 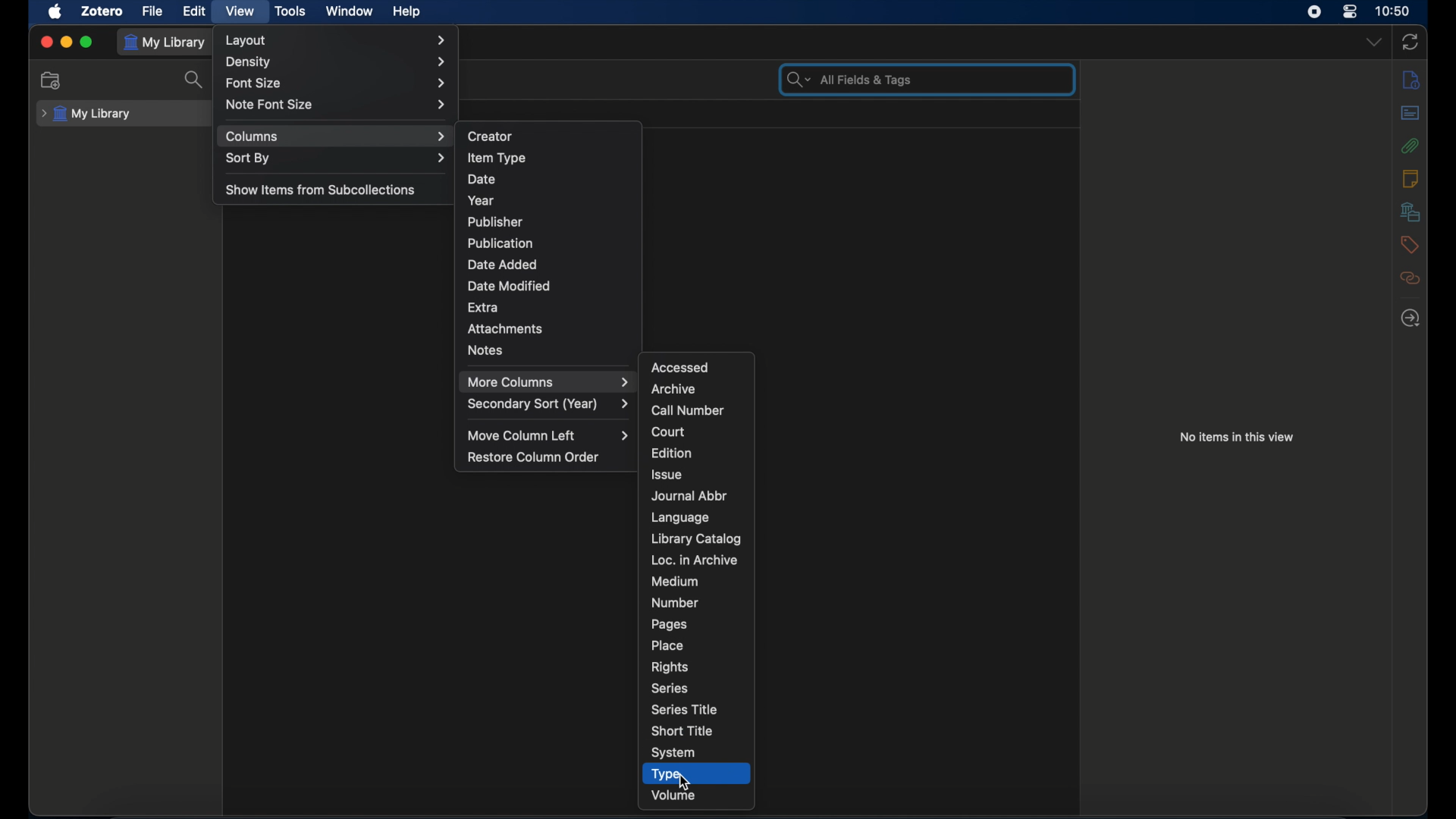 What do you see at coordinates (668, 475) in the screenshot?
I see `issue` at bounding box center [668, 475].